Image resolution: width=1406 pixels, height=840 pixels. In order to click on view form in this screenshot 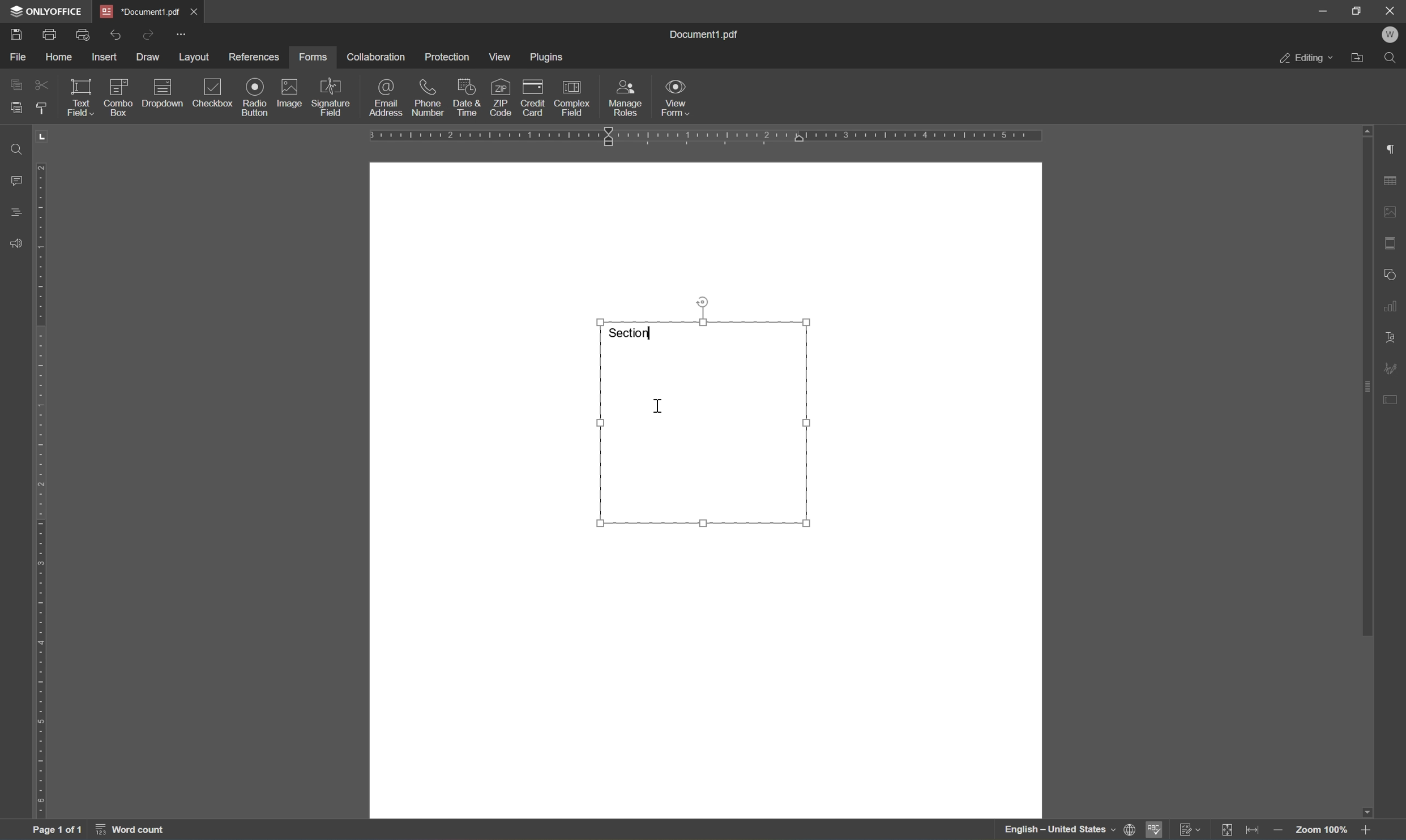, I will do `click(682, 99)`.